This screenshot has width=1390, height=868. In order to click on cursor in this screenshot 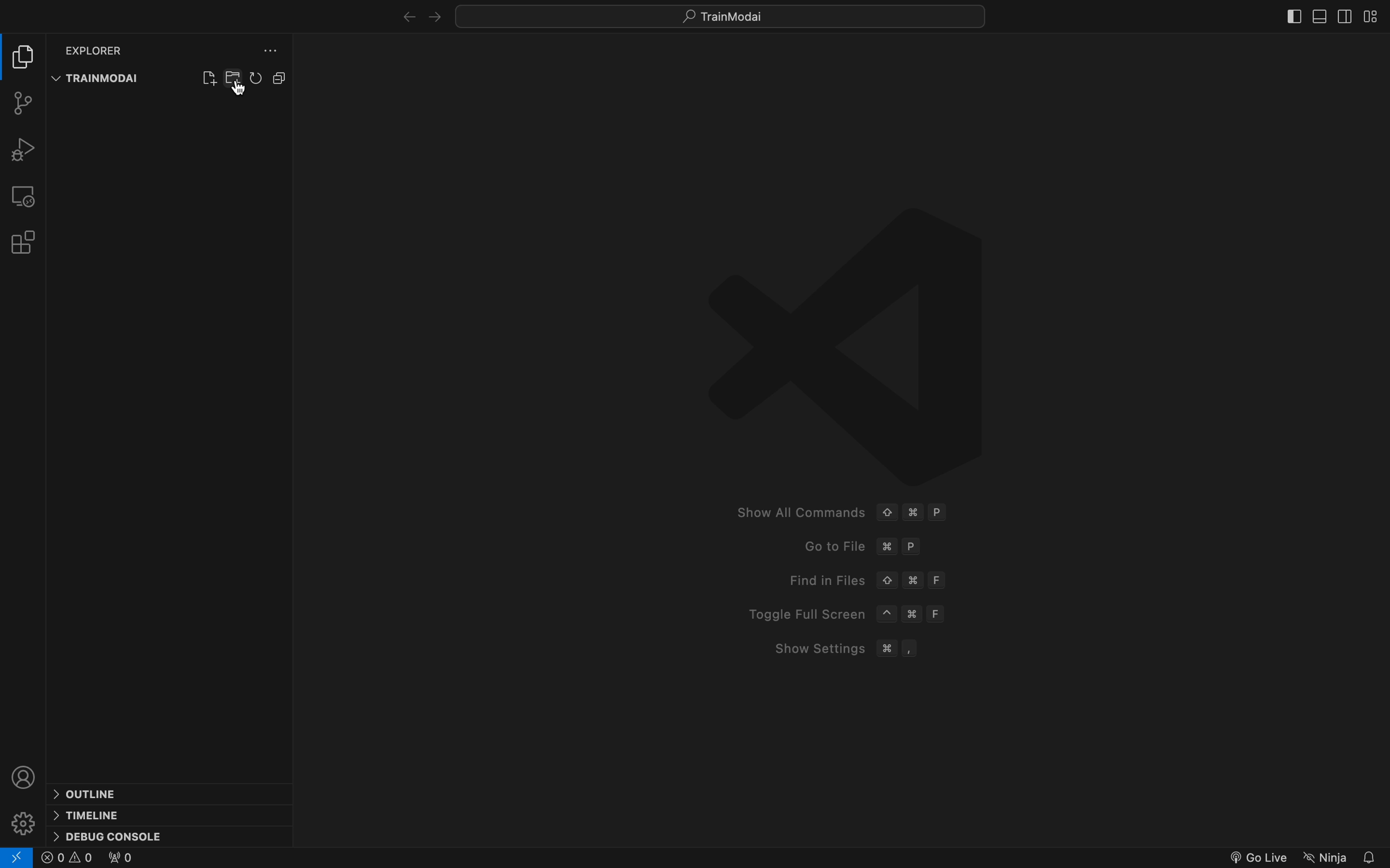, I will do `click(238, 87)`.